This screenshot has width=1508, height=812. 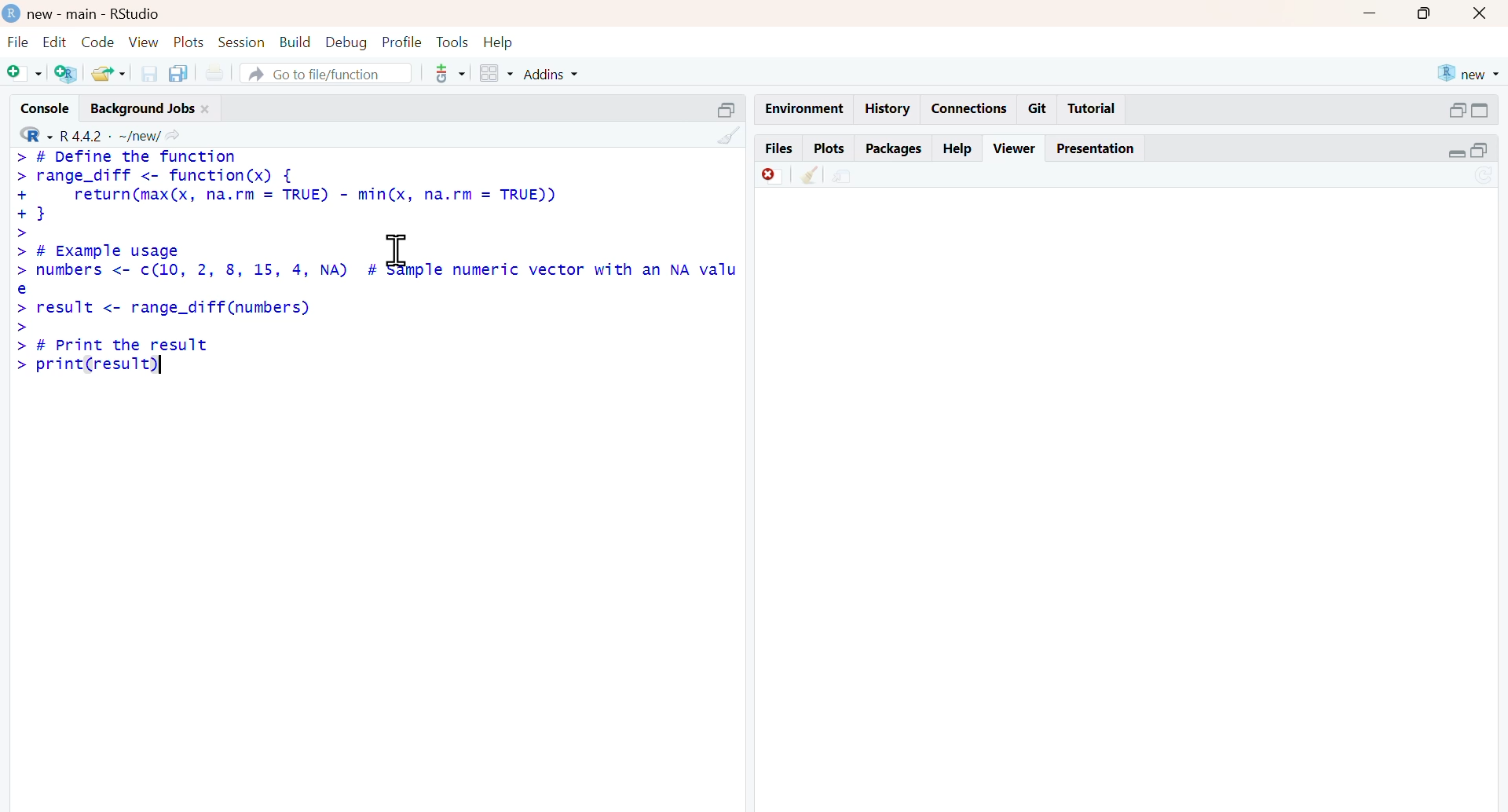 I want to click on help, so click(x=498, y=43).